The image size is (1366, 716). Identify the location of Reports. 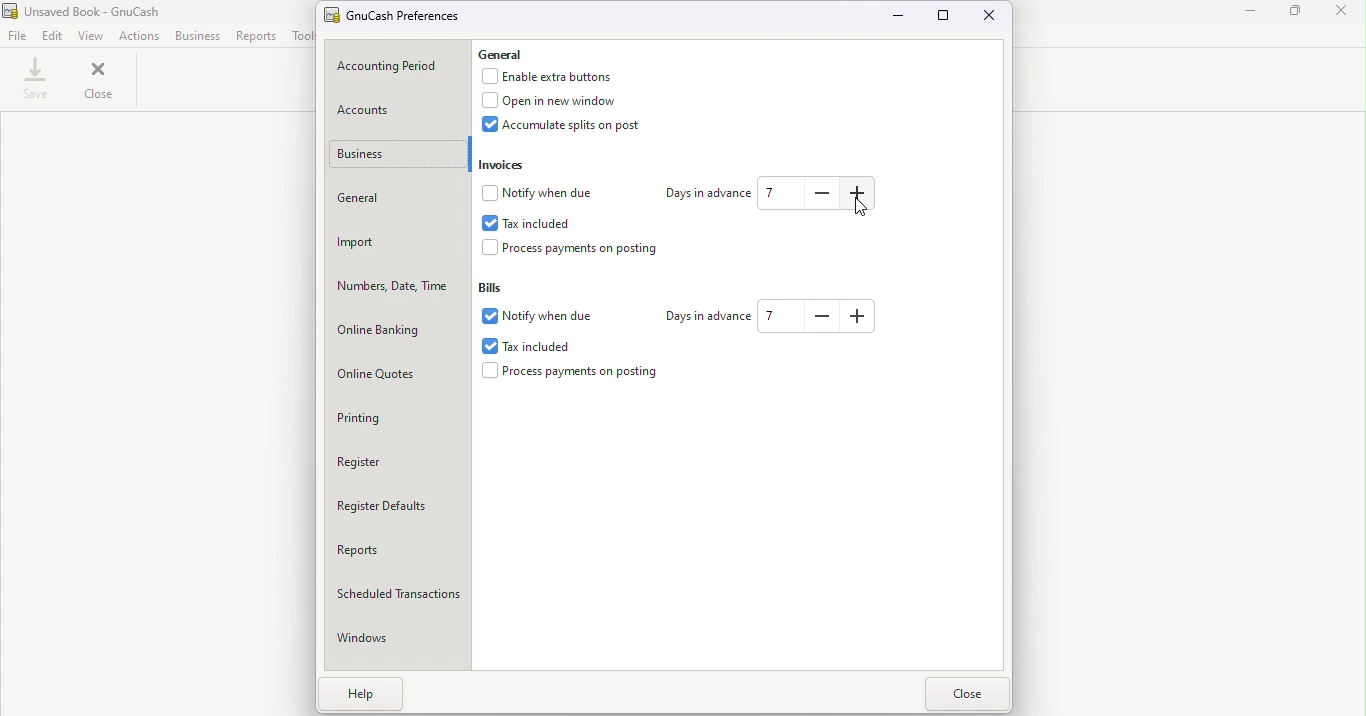
(397, 556).